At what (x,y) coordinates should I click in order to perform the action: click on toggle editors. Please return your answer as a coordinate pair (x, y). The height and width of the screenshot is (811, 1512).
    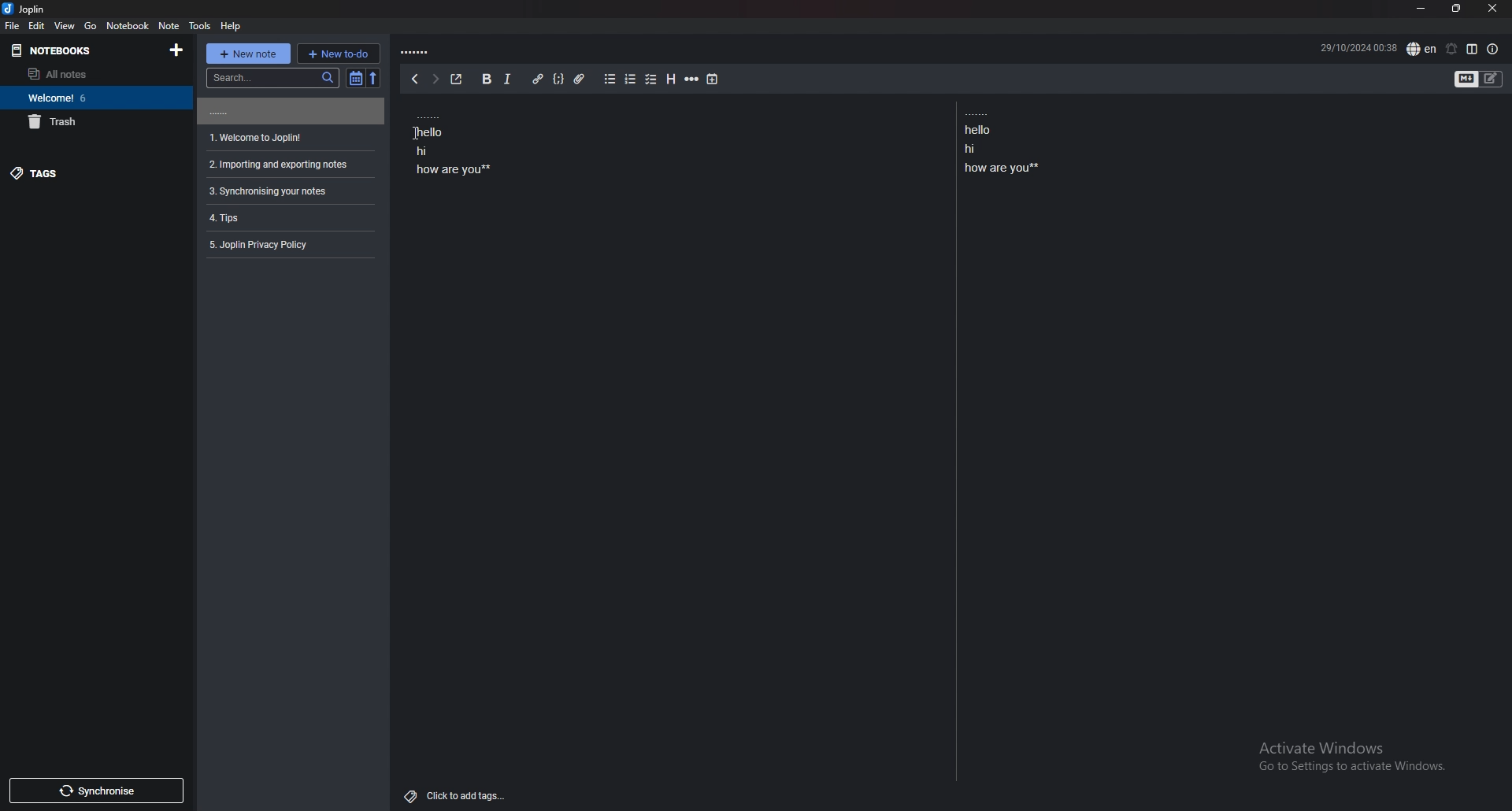
    Looking at the image, I should click on (1491, 79).